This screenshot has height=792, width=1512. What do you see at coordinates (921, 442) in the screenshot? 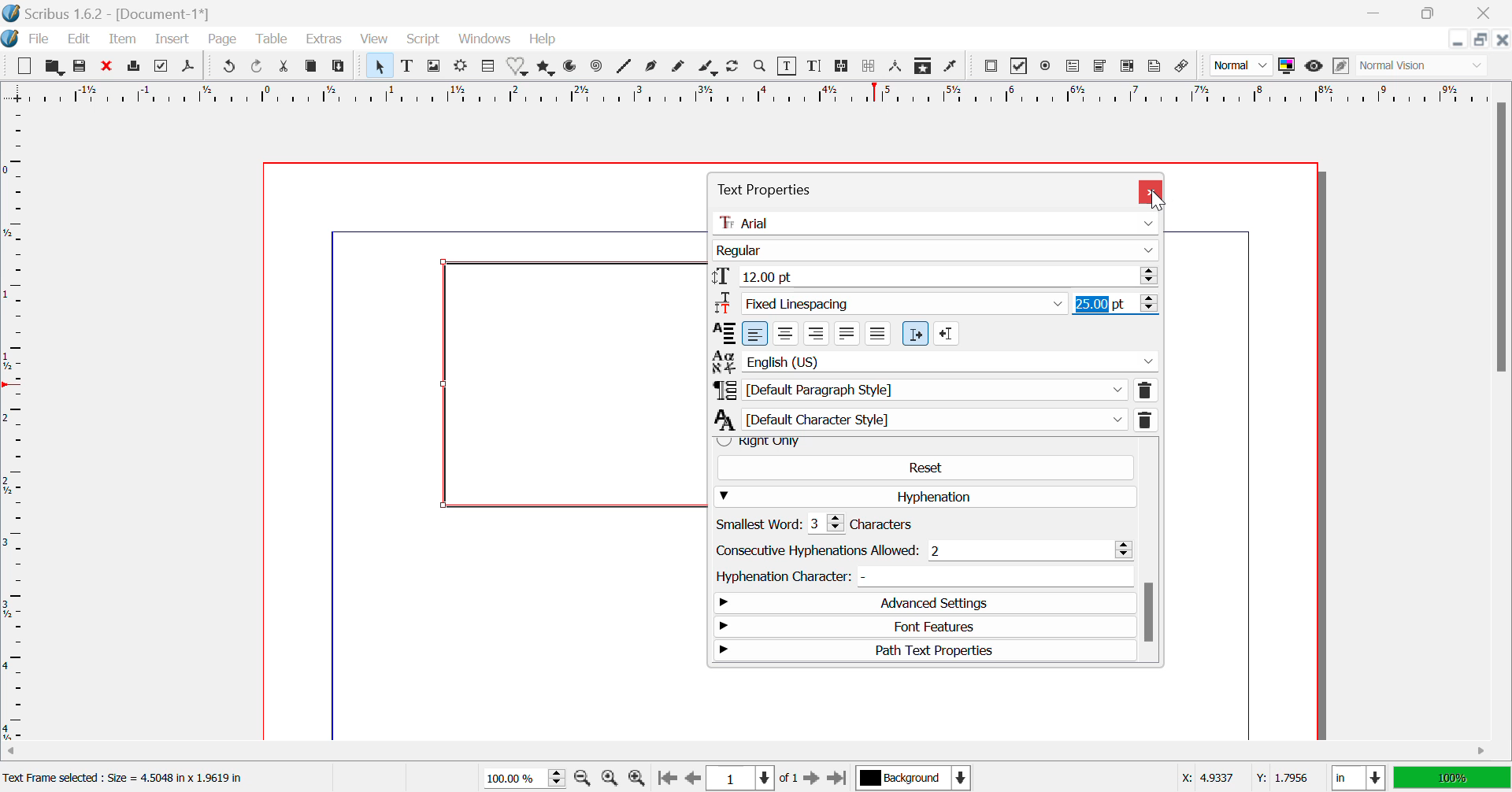
I see `Right Only` at bounding box center [921, 442].